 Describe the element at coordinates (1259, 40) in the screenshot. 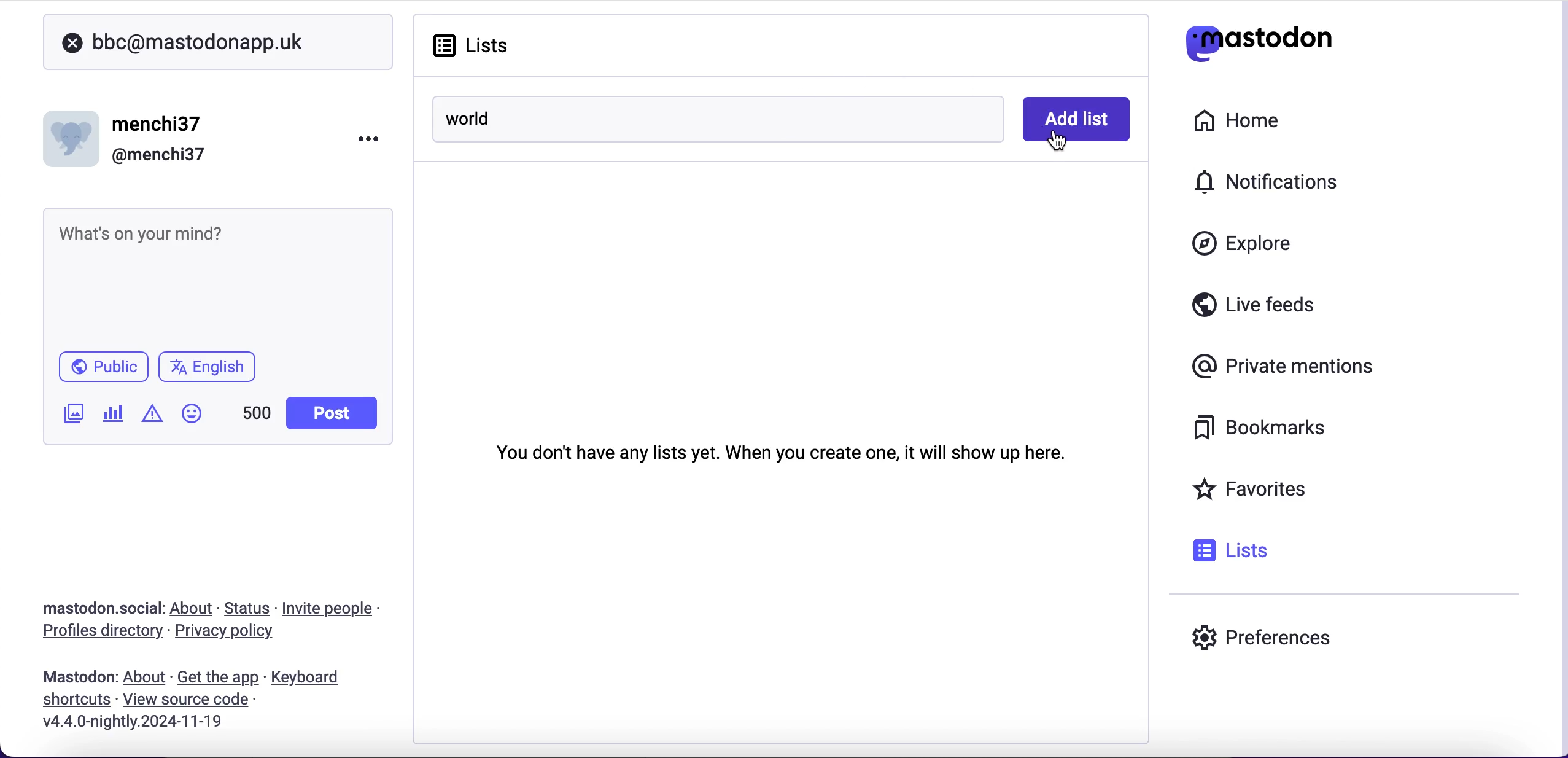

I see `mastodon logo` at that location.